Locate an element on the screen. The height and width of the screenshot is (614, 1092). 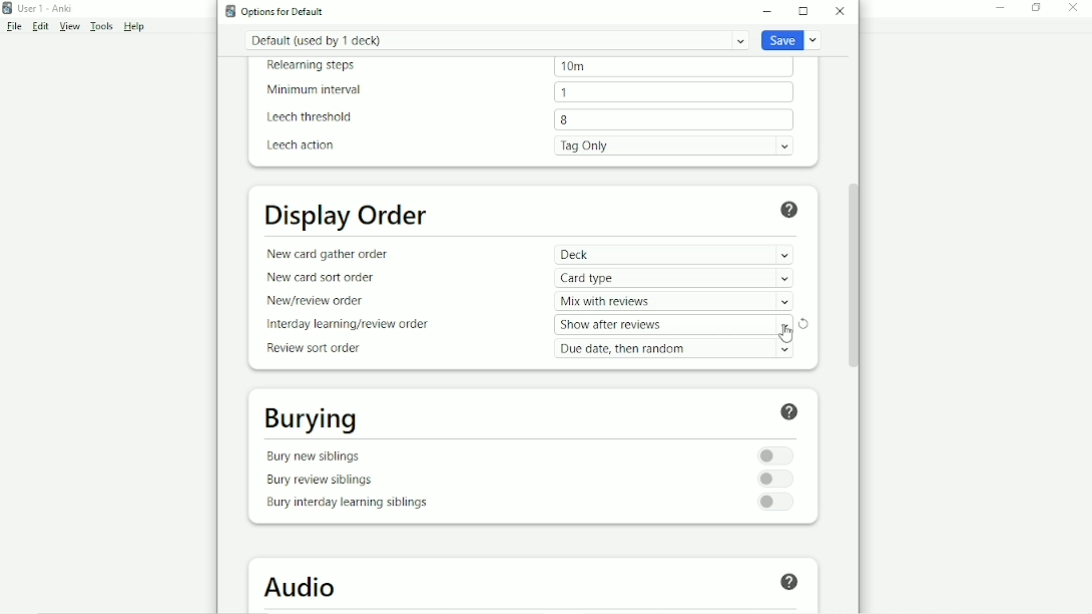
Save is located at coordinates (793, 39).